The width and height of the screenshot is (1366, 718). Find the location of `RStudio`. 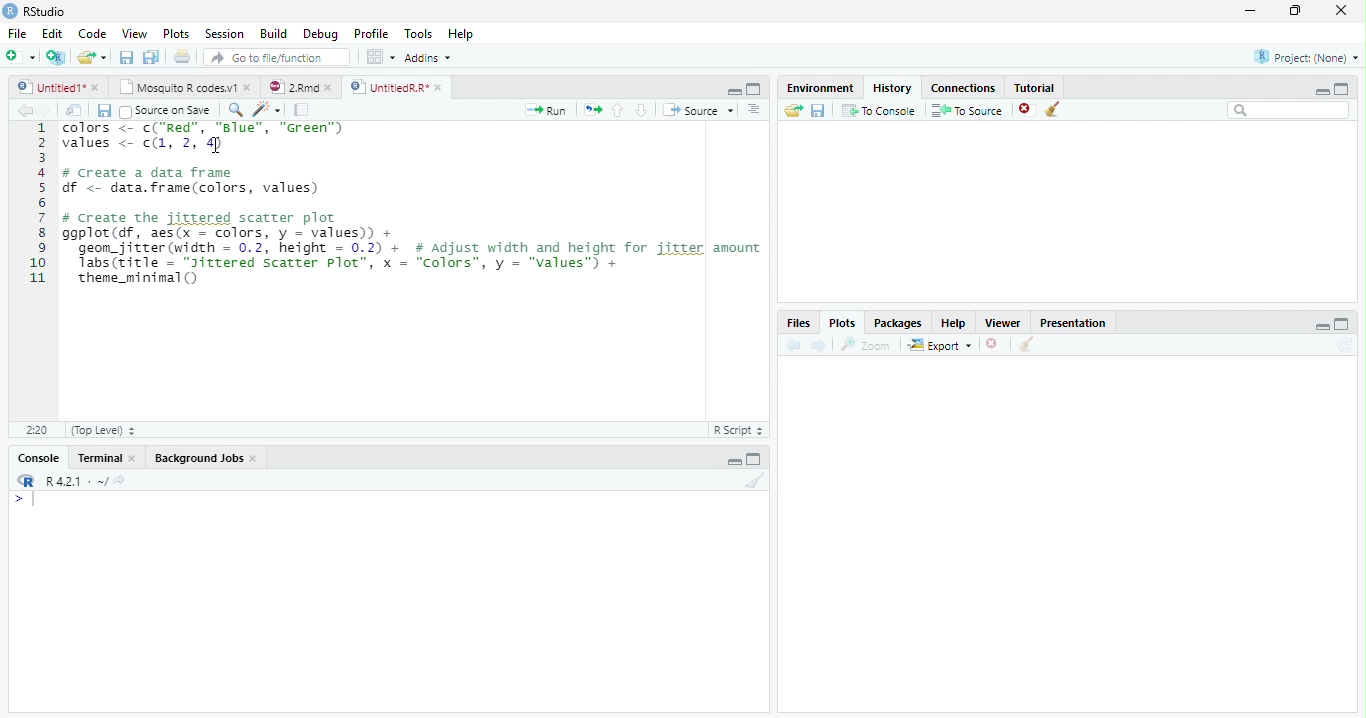

RStudio is located at coordinates (35, 12).